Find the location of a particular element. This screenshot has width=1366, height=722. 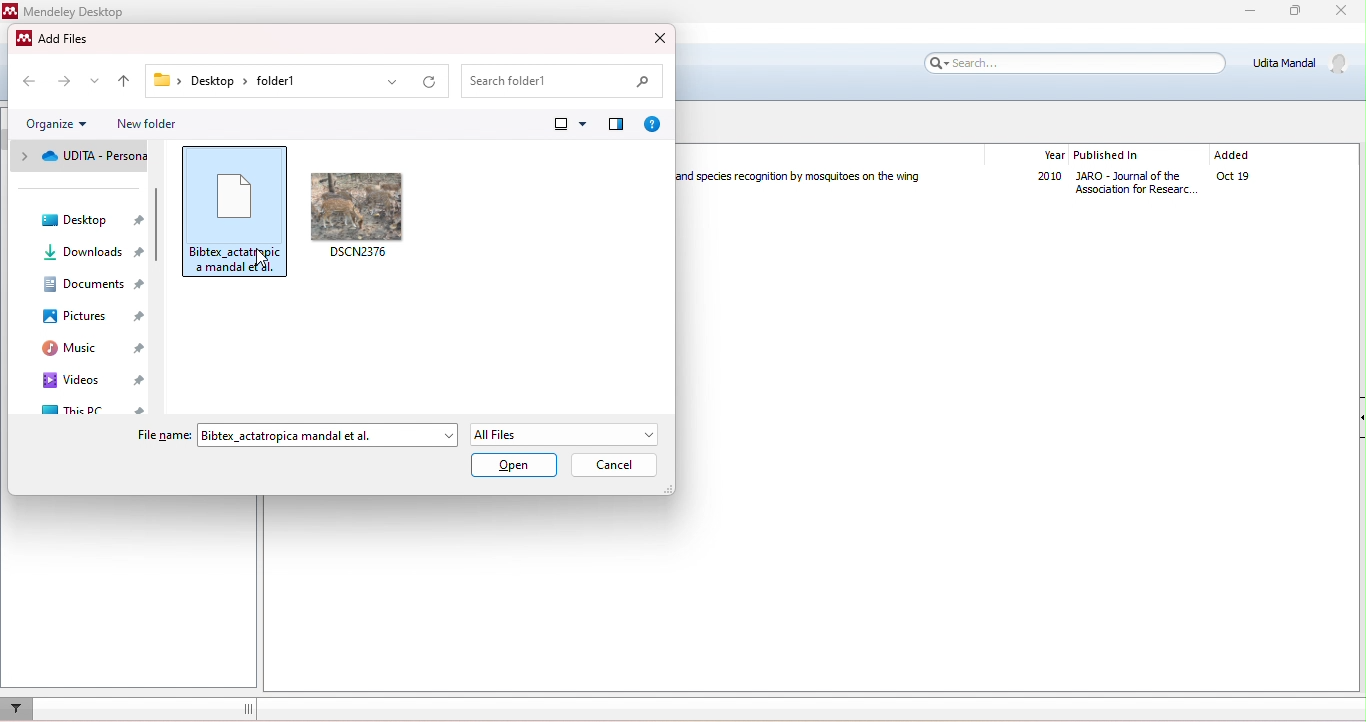

desktop is located at coordinates (91, 219).